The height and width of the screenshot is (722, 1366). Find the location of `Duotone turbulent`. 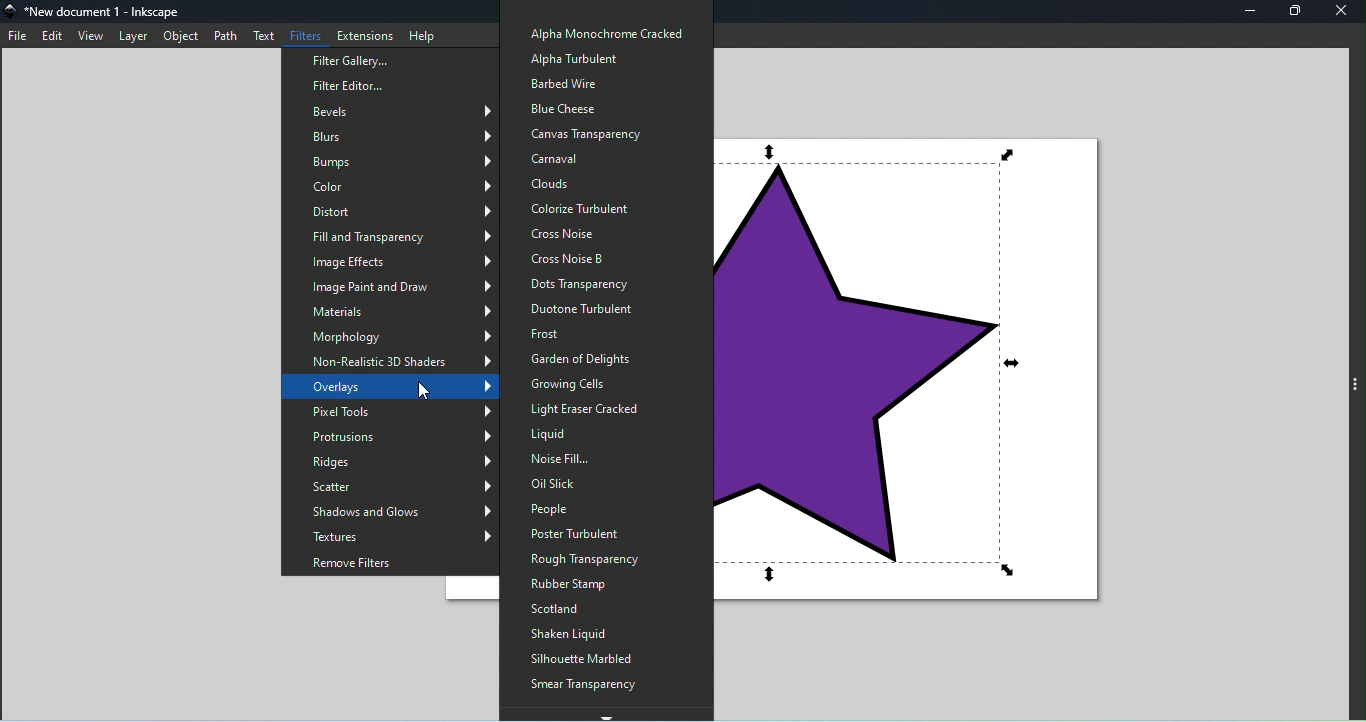

Duotone turbulent is located at coordinates (600, 309).